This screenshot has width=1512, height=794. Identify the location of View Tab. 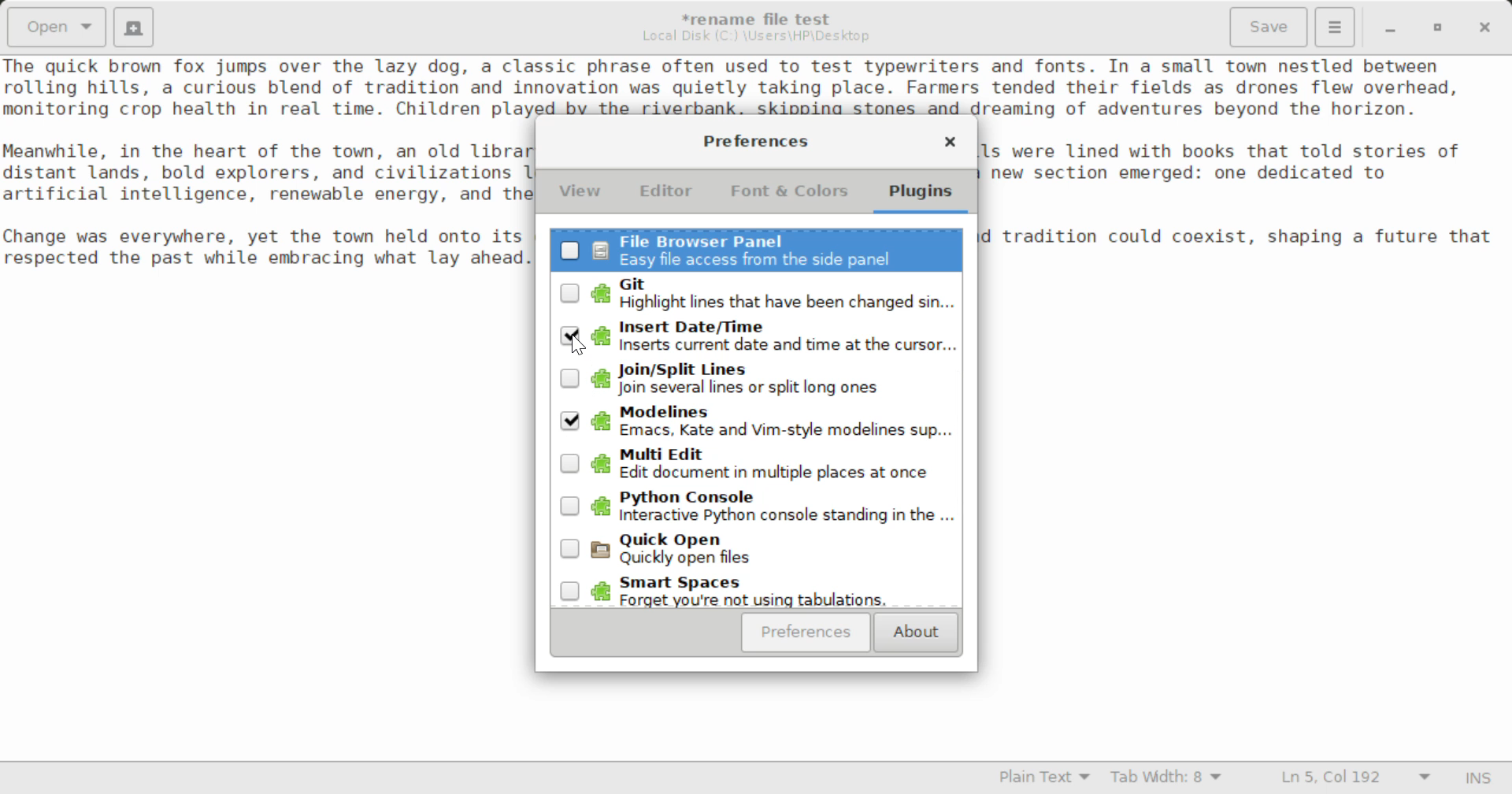
(580, 195).